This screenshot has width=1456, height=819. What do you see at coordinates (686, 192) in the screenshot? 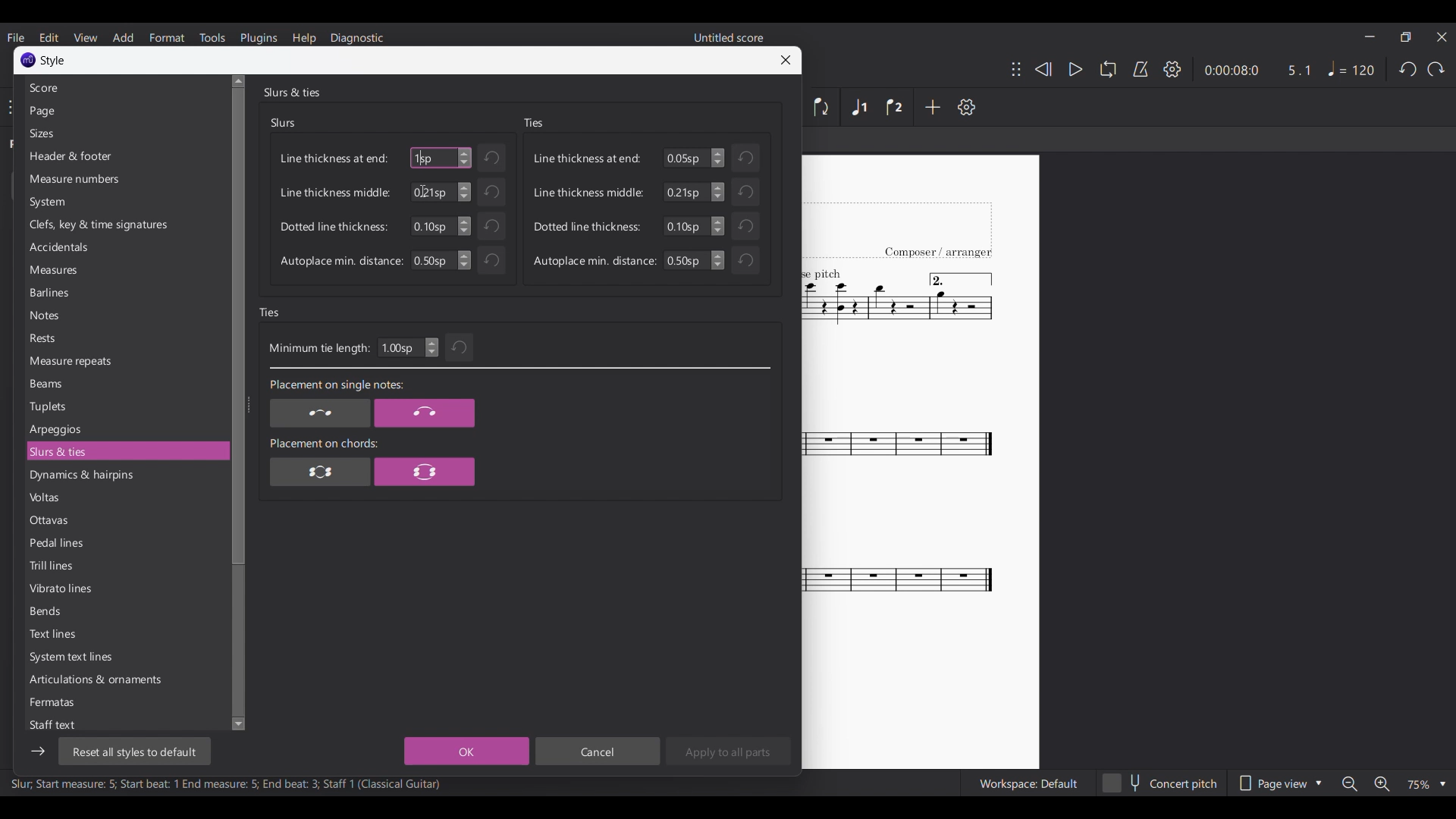
I see `Input line thickness middle` at bounding box center [686, 192].